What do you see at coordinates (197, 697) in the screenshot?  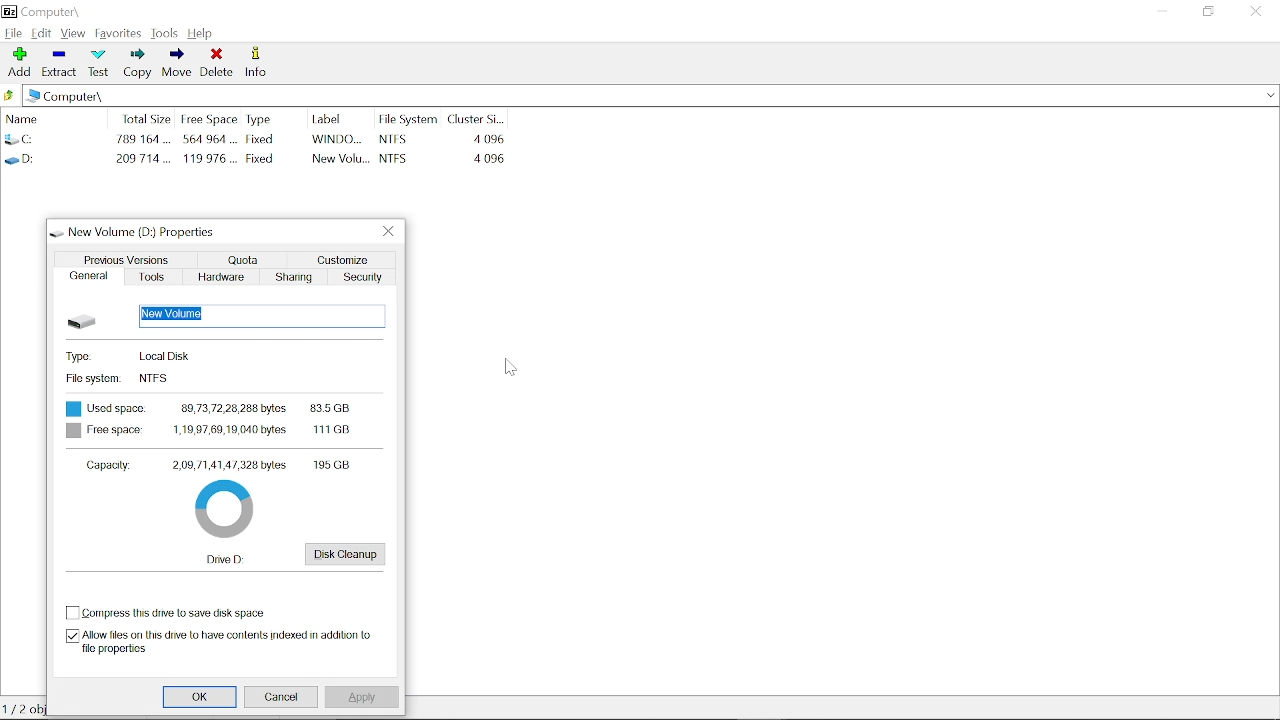 I see `Ok` at bounding box center [197, 697].